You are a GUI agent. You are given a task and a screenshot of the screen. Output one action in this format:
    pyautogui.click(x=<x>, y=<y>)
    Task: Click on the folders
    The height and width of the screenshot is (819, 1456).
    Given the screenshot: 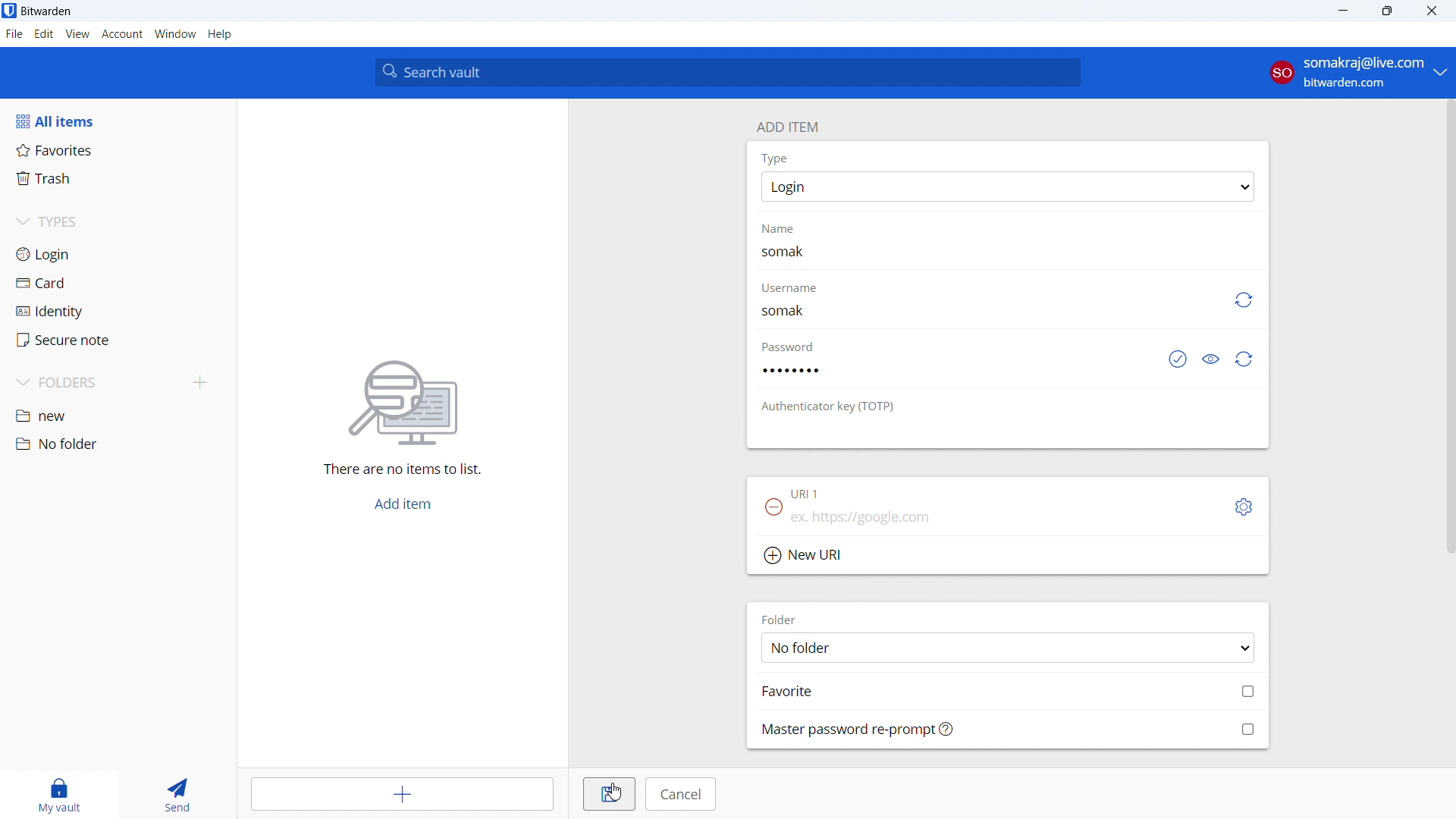 What is the action you would take?
    pyautogui.click(x=96, y=383)
    